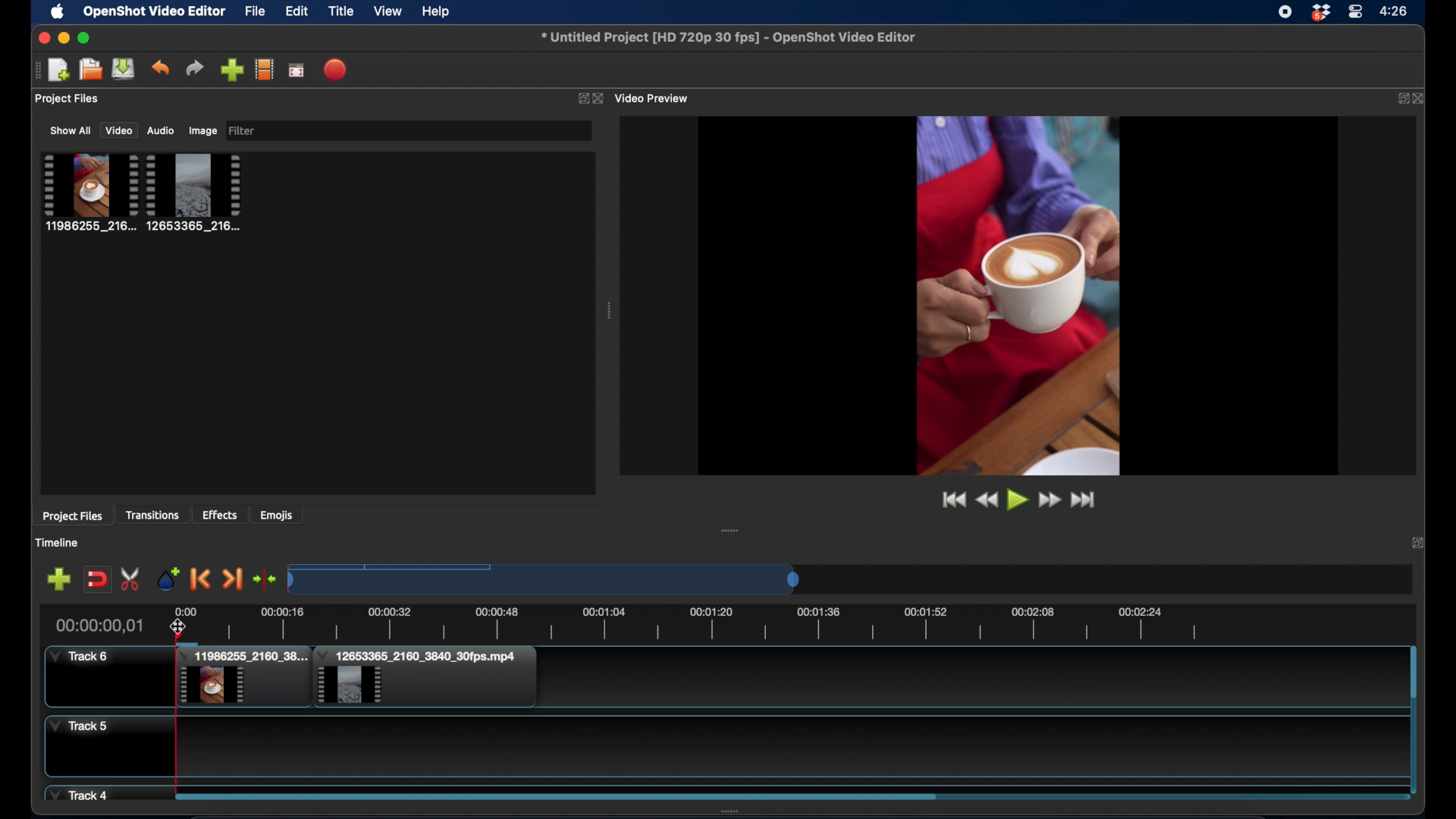  I want to click on choose profile, so click(264, 69).